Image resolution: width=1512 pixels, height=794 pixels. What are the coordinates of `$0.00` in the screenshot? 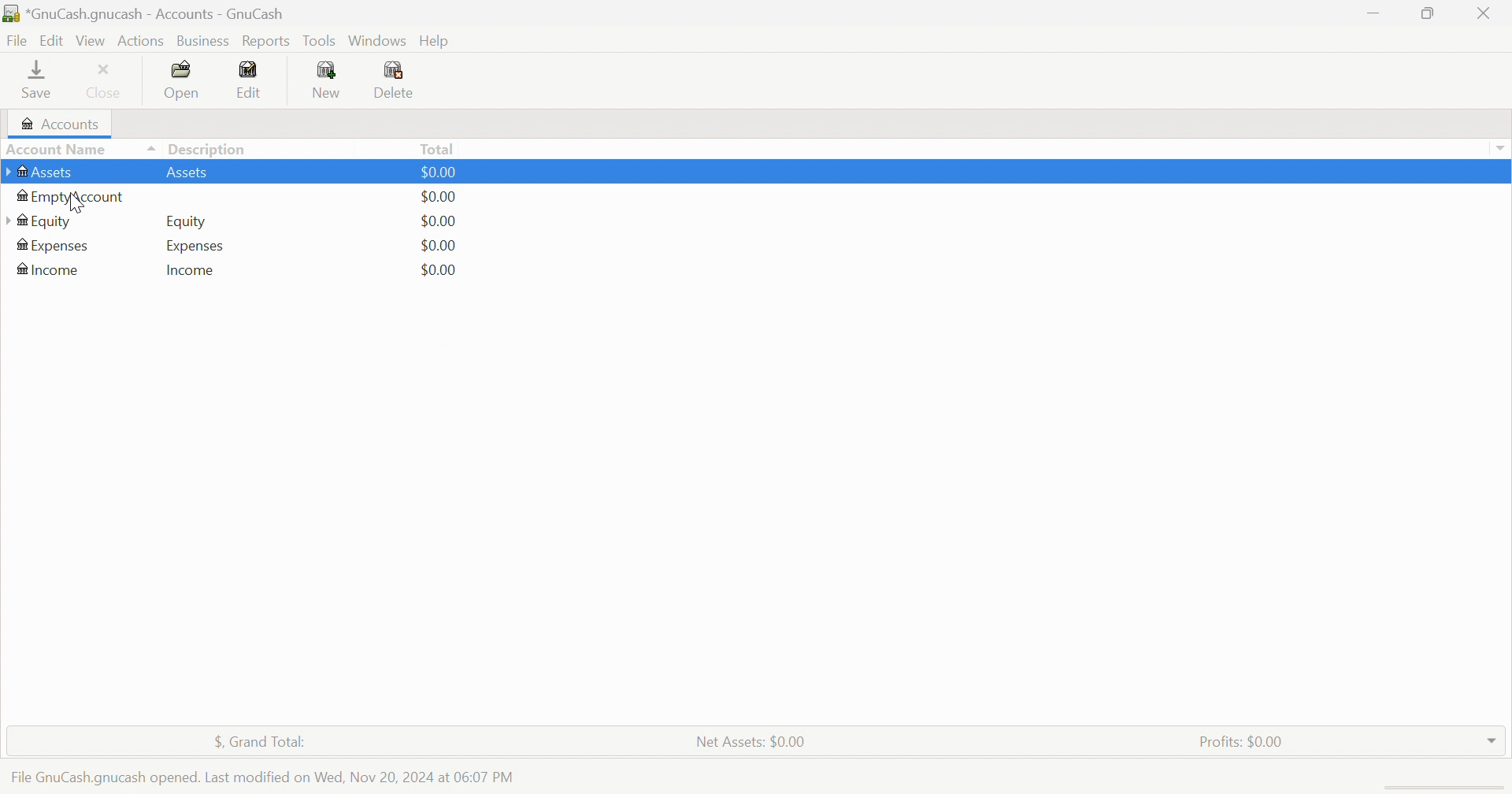 It's located at (441, 222).